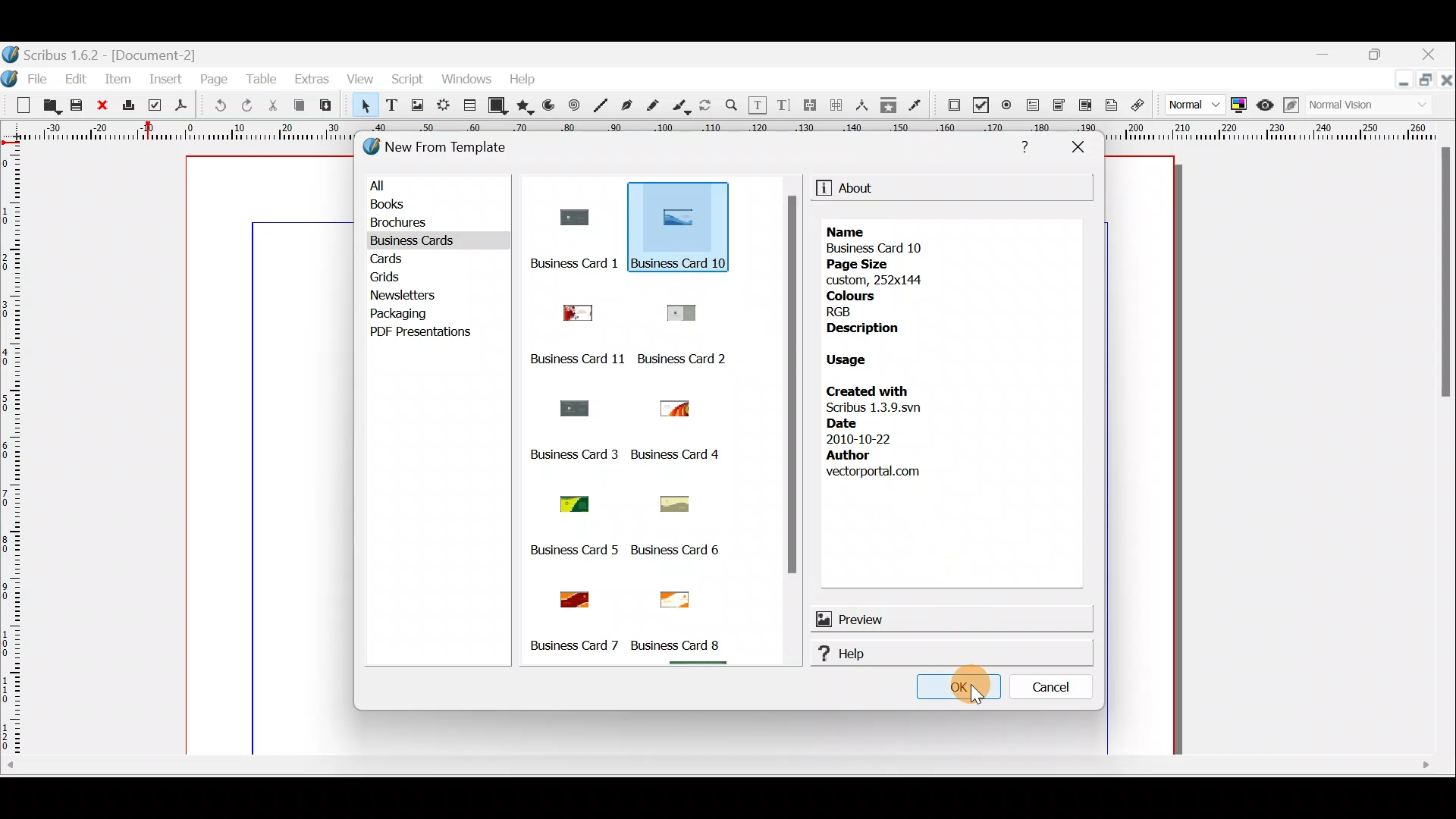 This screenshot has height=819, width=1456. What do you see at coordinates (1289, 107) in the screenshot?
I see `Edit in preview mode` at bounding box center [1289, 107].